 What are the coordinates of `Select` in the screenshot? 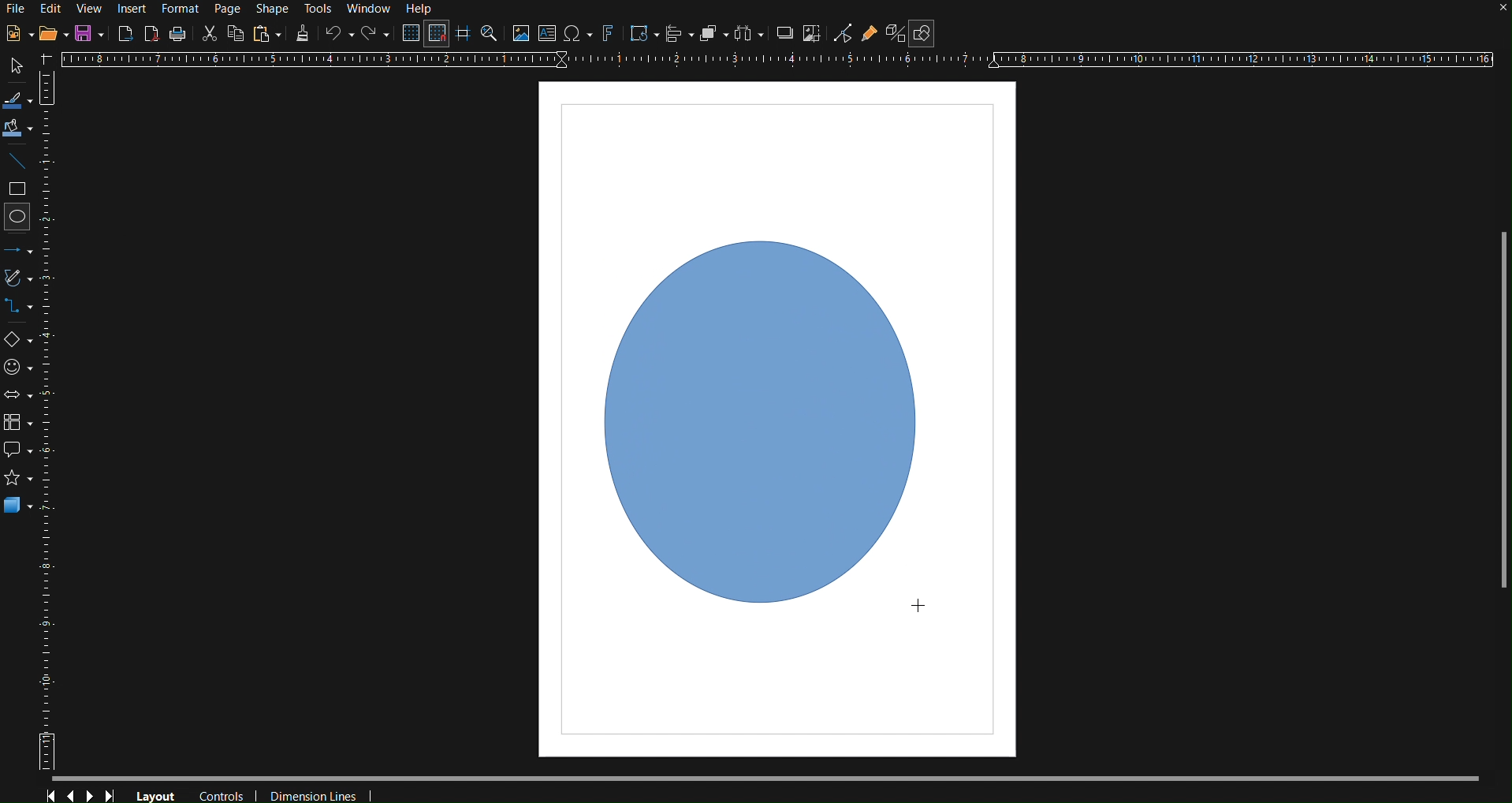 It's located at (13, 66).